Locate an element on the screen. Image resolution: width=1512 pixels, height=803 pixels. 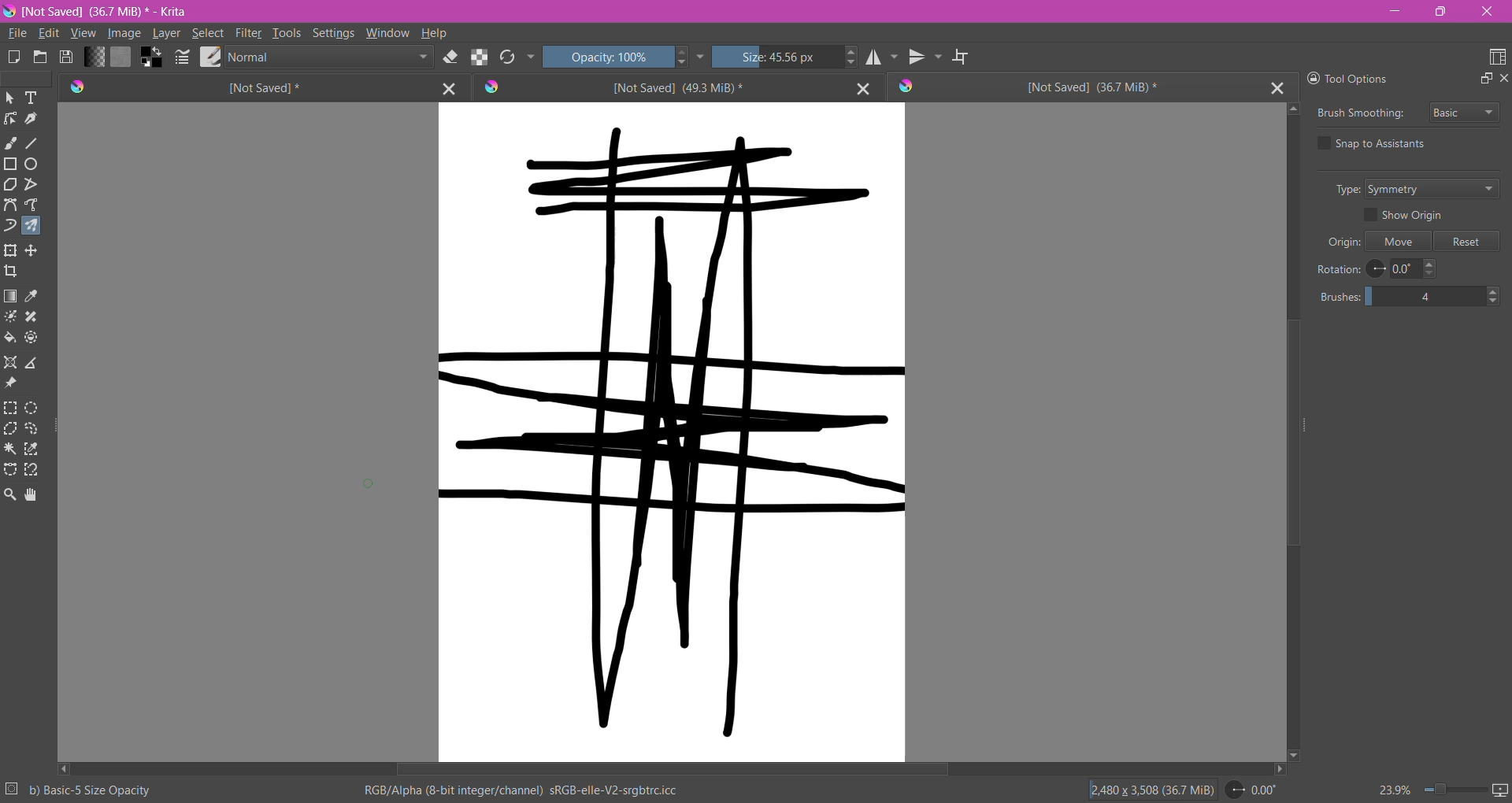
Choose Brush Preset is located at coordinates (209, 57).